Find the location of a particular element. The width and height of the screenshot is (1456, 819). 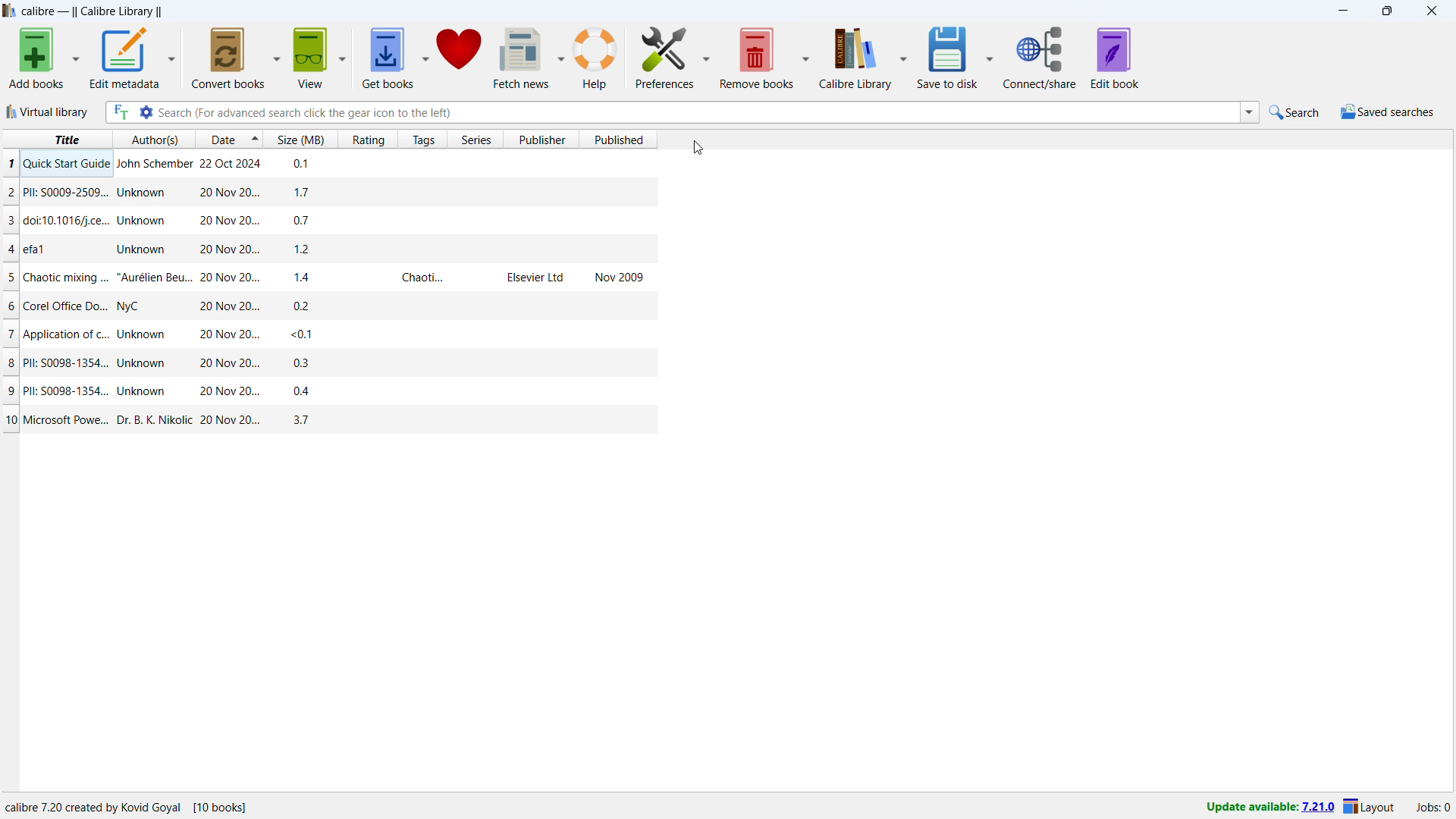

2 Pll: S0009-2509... Unknown 20 Nov 20... 17 is located at coordinates (333, 188).